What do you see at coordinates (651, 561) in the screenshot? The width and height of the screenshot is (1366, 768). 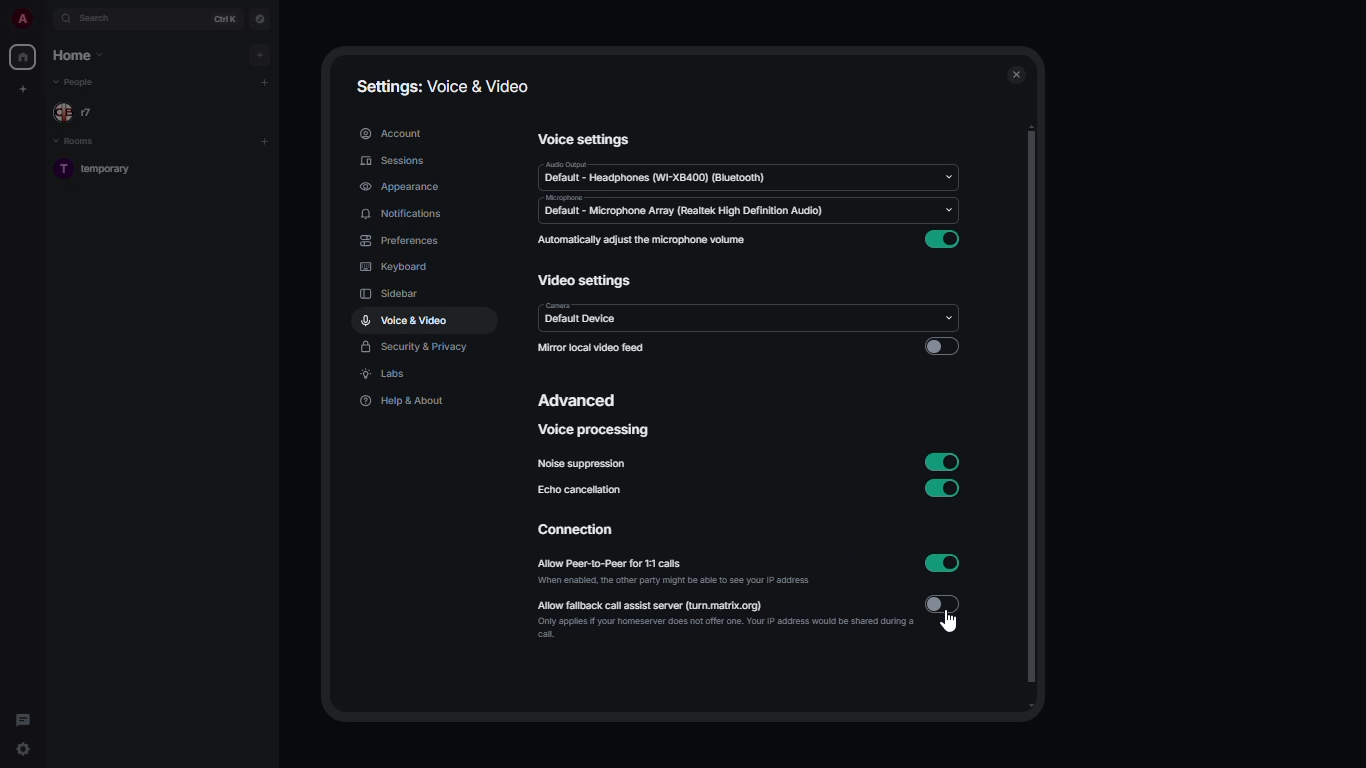 I see `allow peer-to-peer for 1:1 calls` at bounding box center [651, 561].